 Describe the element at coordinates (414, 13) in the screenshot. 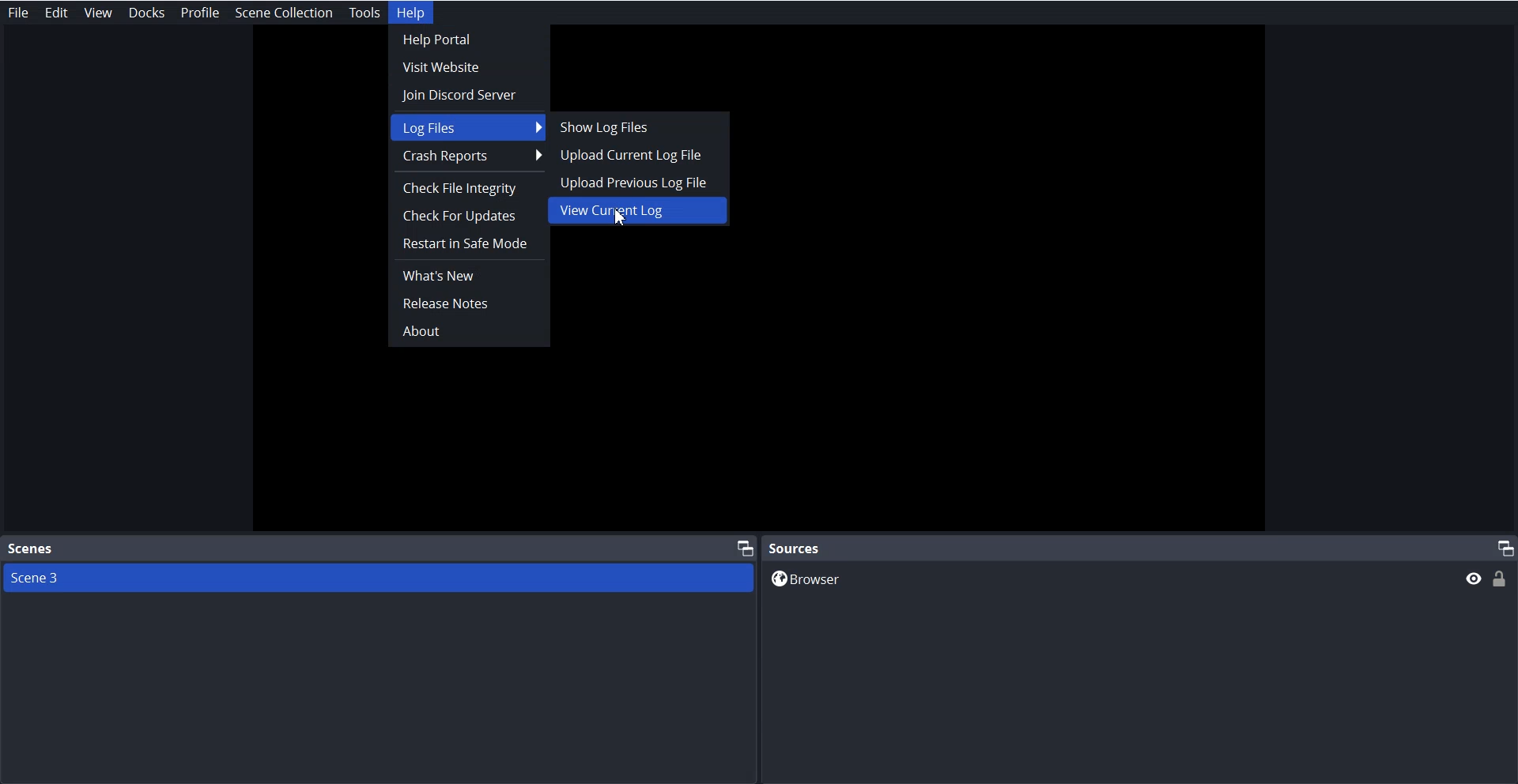

I see `Help` at that location.